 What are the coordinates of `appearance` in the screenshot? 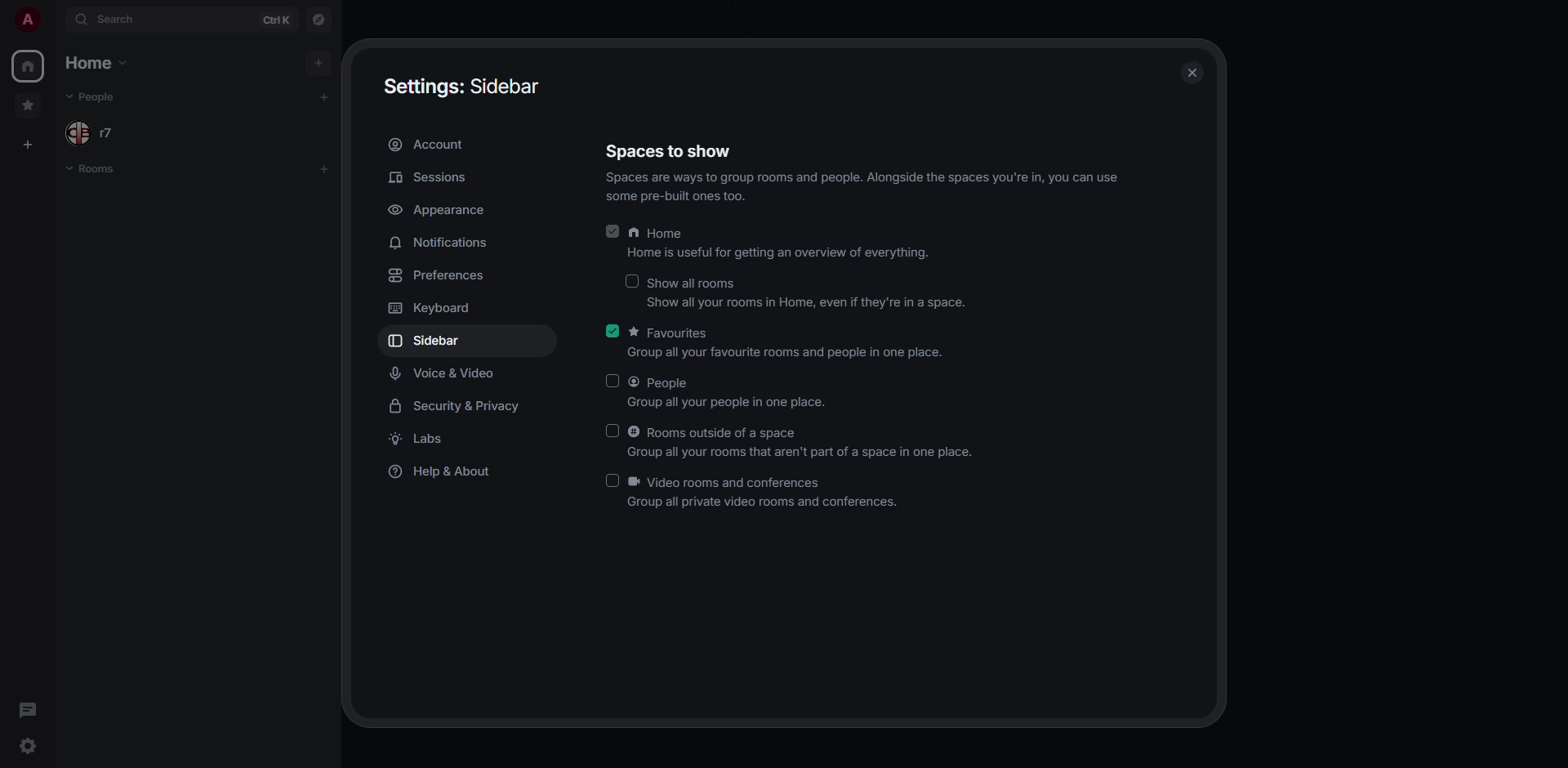 It's located at (461, 210).